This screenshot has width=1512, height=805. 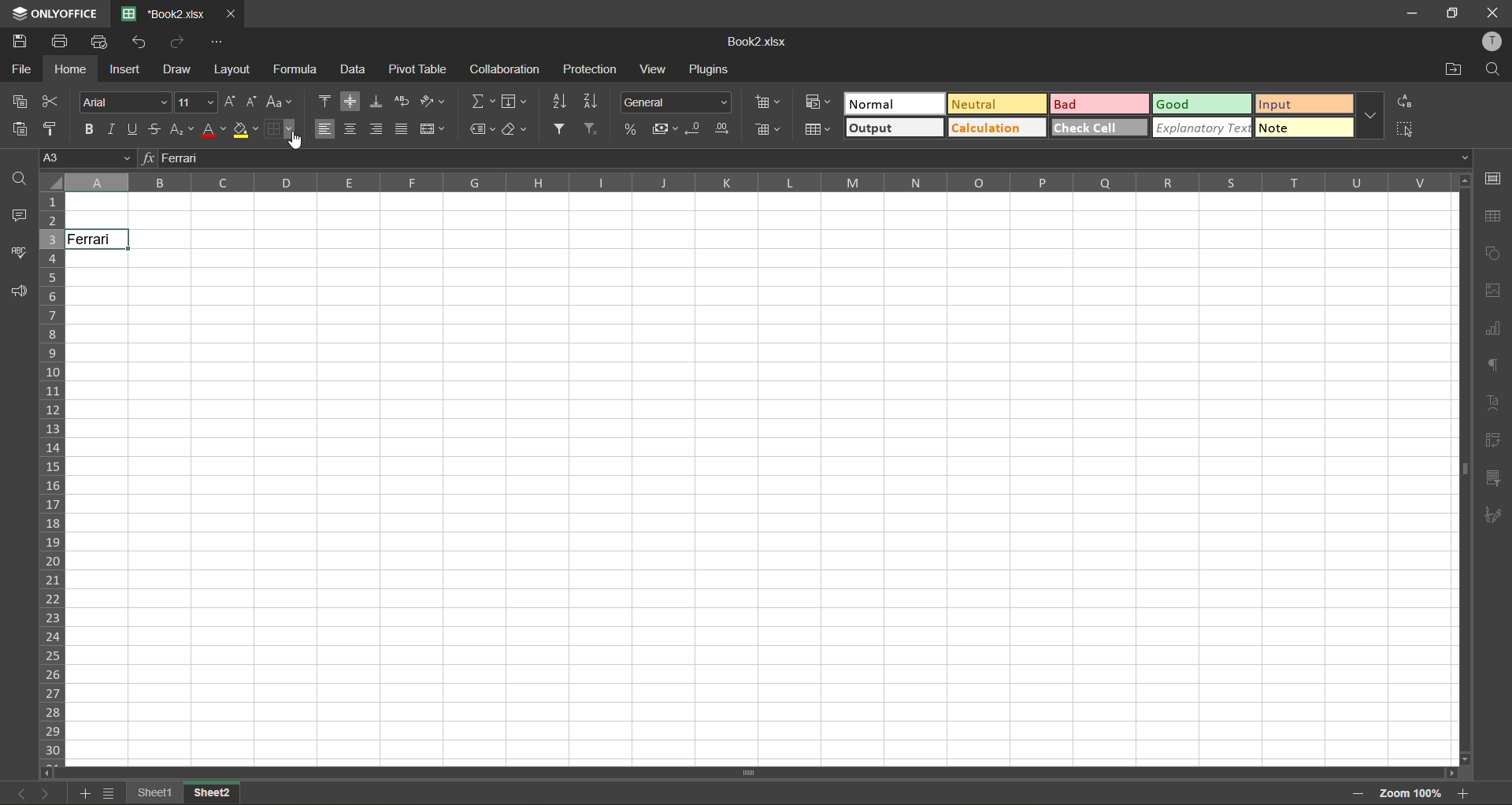 I want to click on profile, so click(x=1494, y=43).